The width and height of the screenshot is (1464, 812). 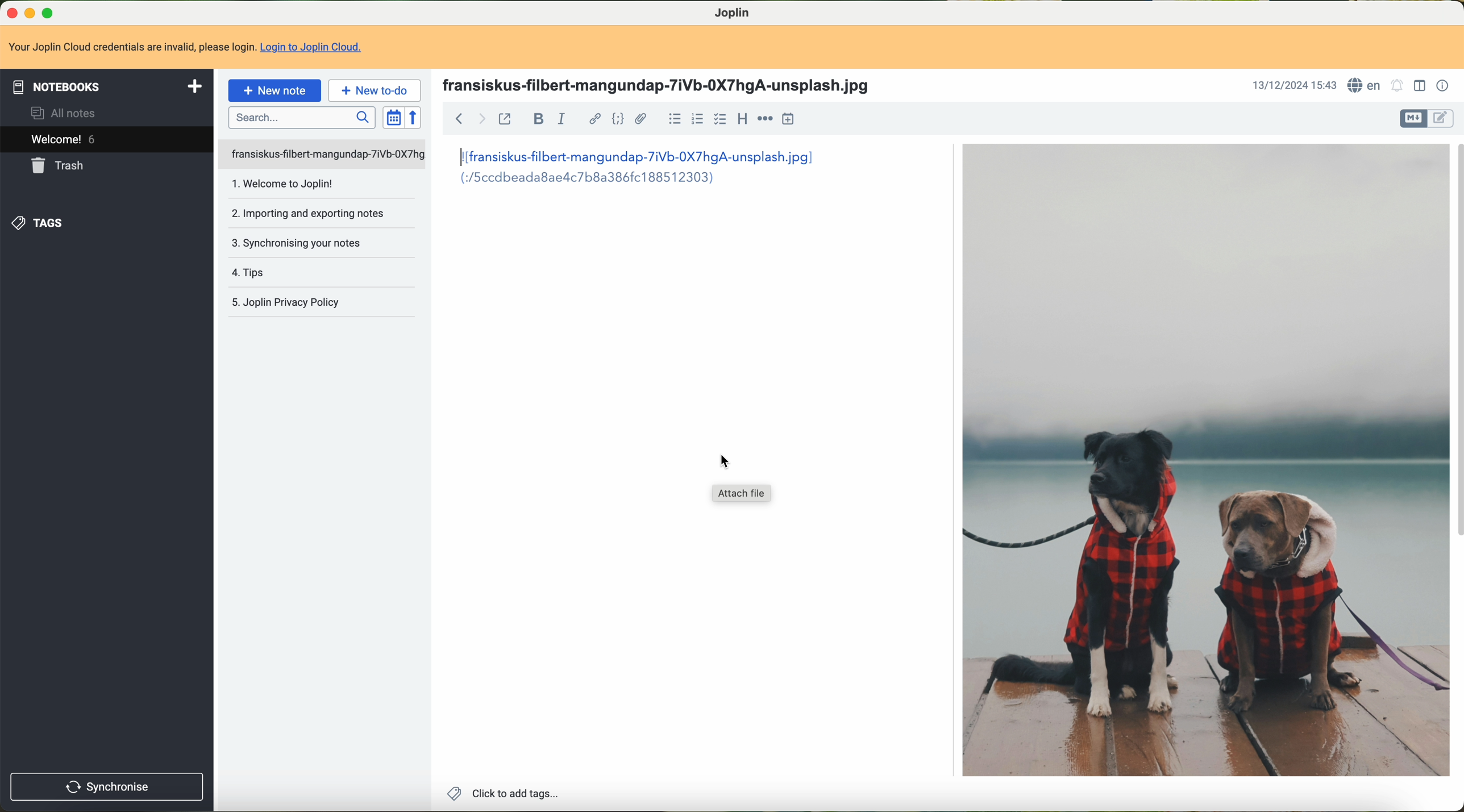 I want to click on note properties, so click(x=1443, y=88).